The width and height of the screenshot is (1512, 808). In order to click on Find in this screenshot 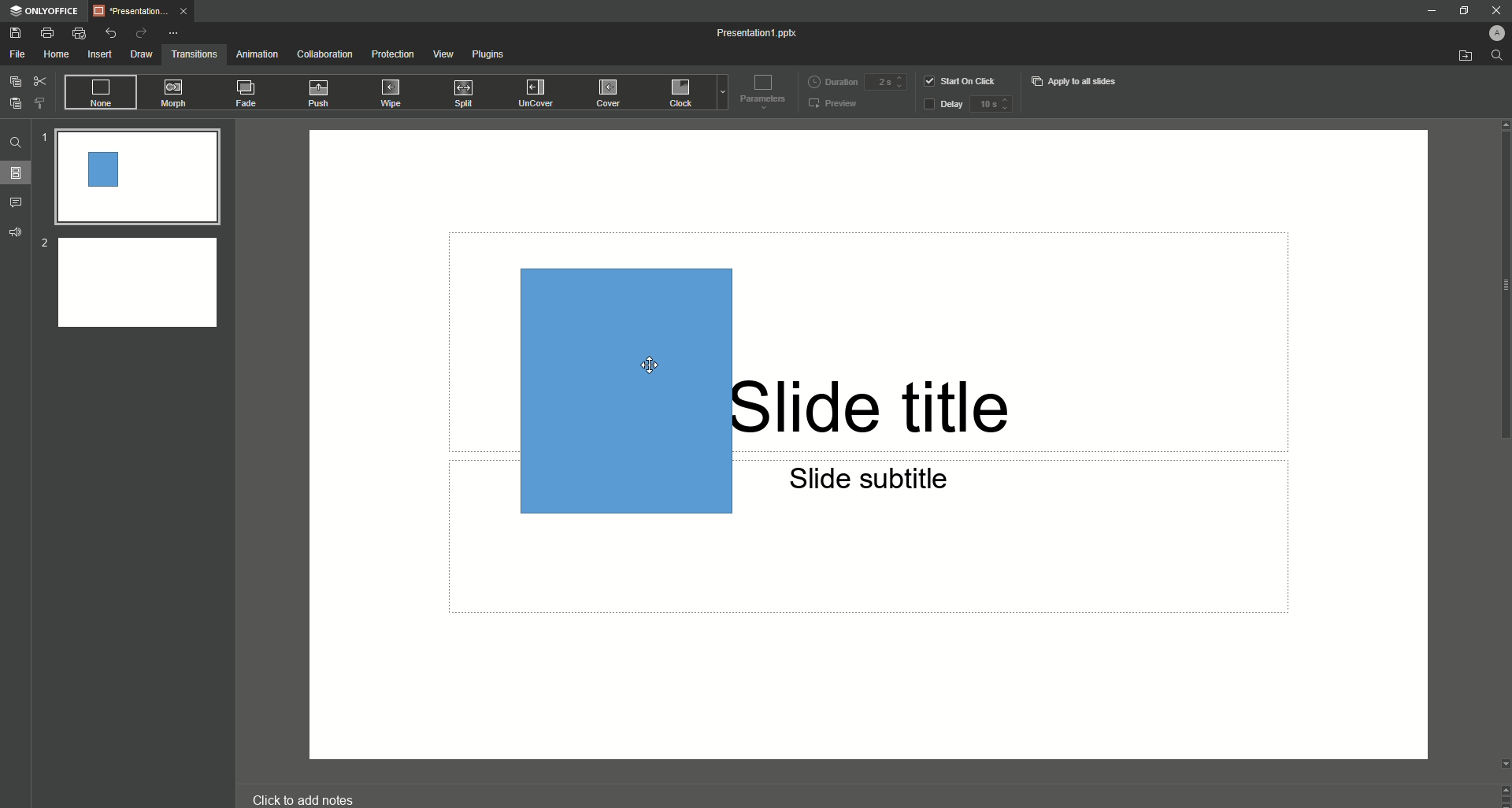, I will do `click(1497, 56)`.